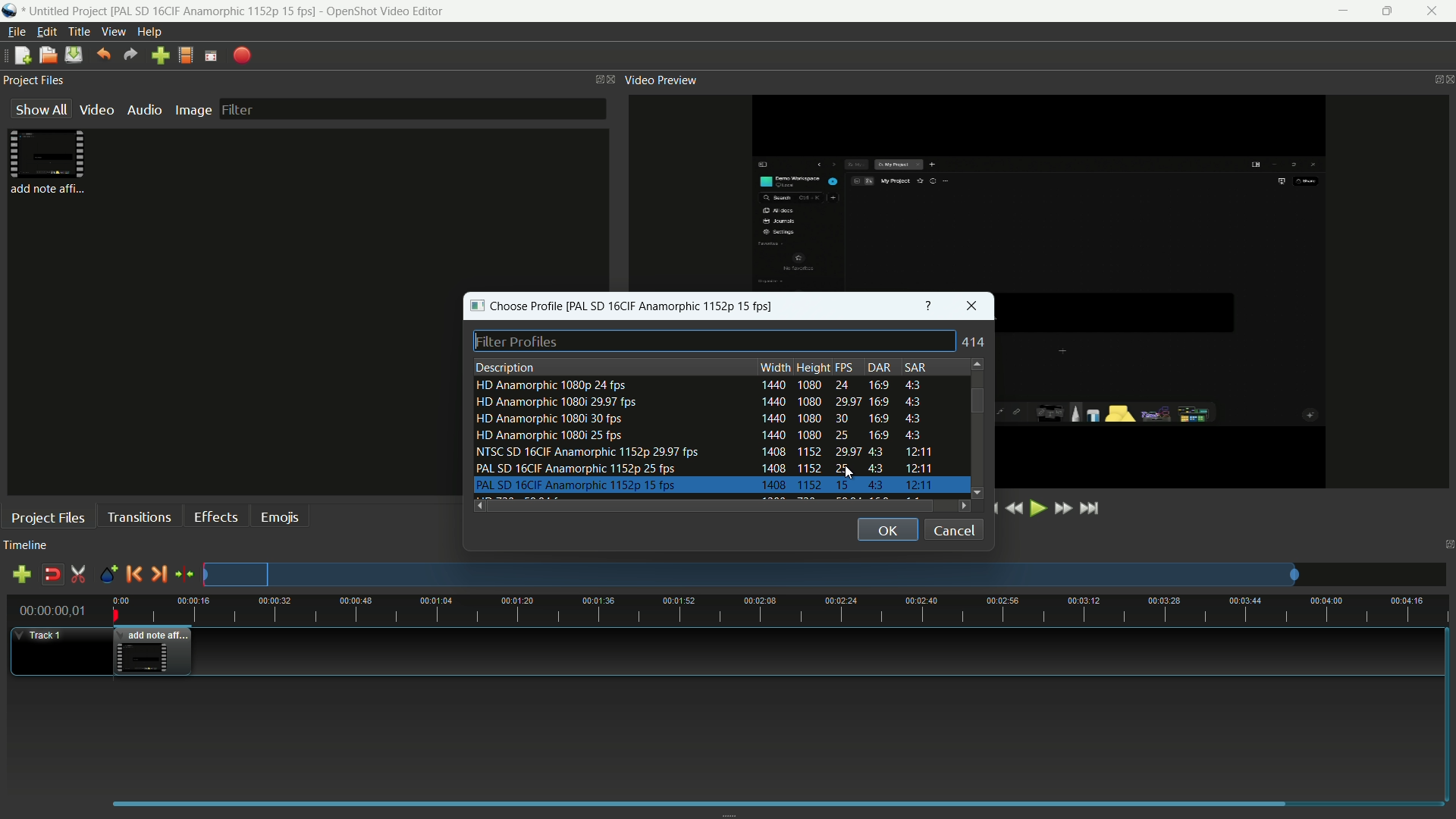  I want to click on new file, so click(19, 57).